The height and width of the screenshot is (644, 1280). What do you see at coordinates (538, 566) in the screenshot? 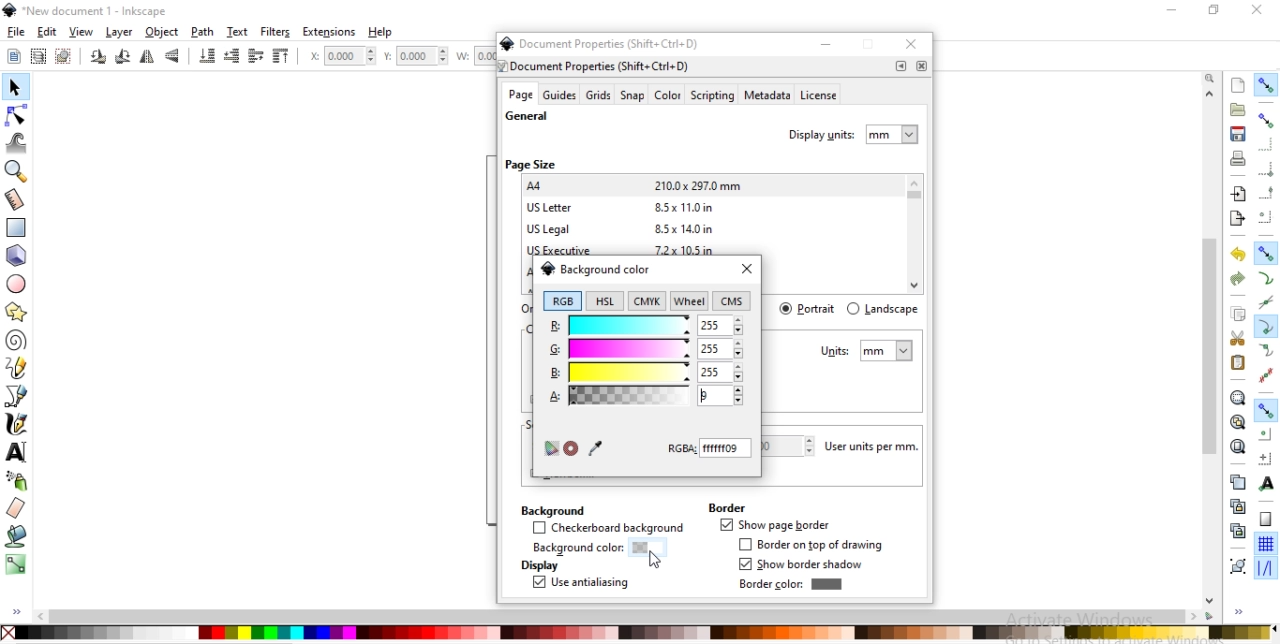
I see `display` at bounding box center [538, 566].